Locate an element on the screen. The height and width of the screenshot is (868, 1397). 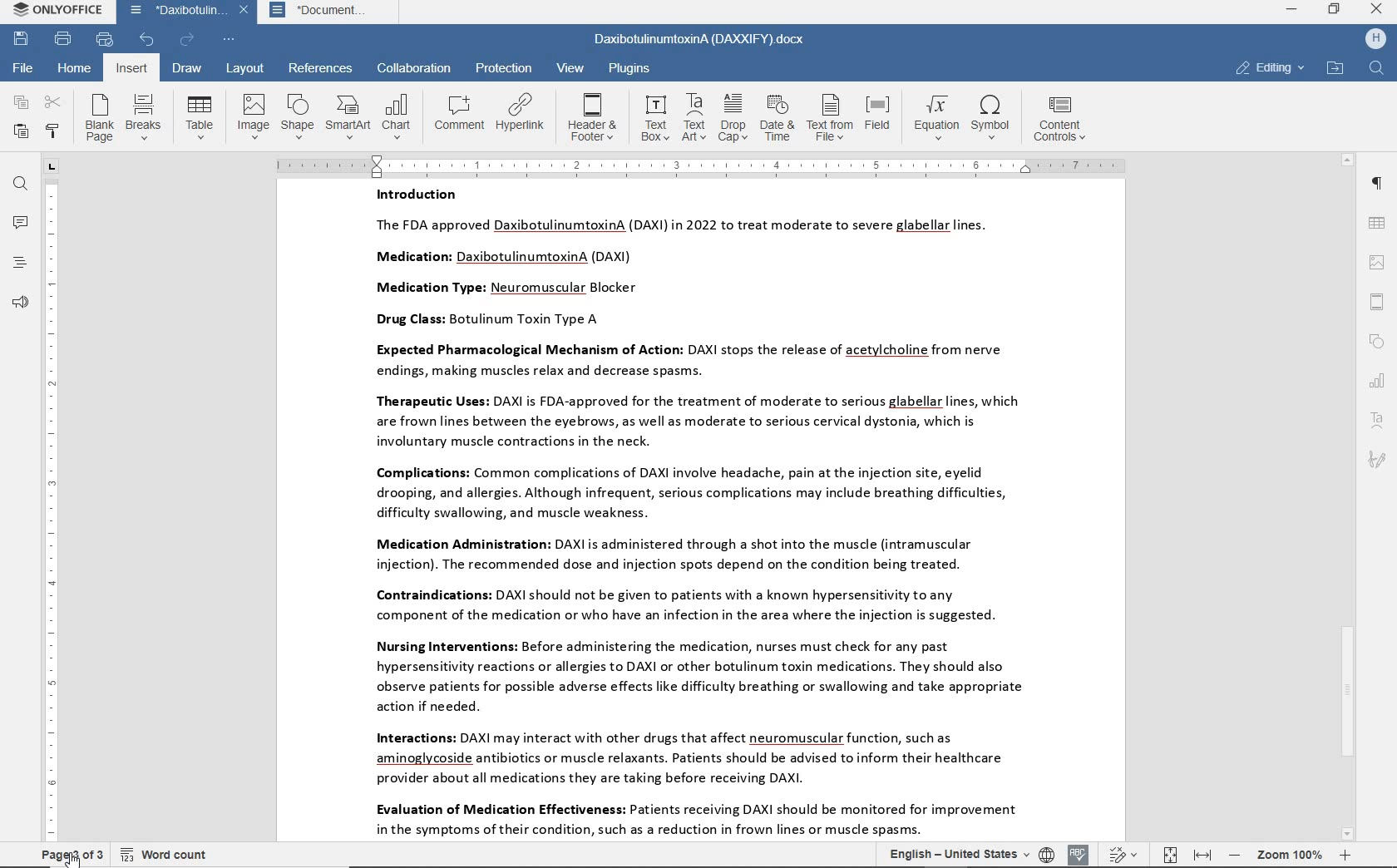
symbol is located at coordinates (994, 119).